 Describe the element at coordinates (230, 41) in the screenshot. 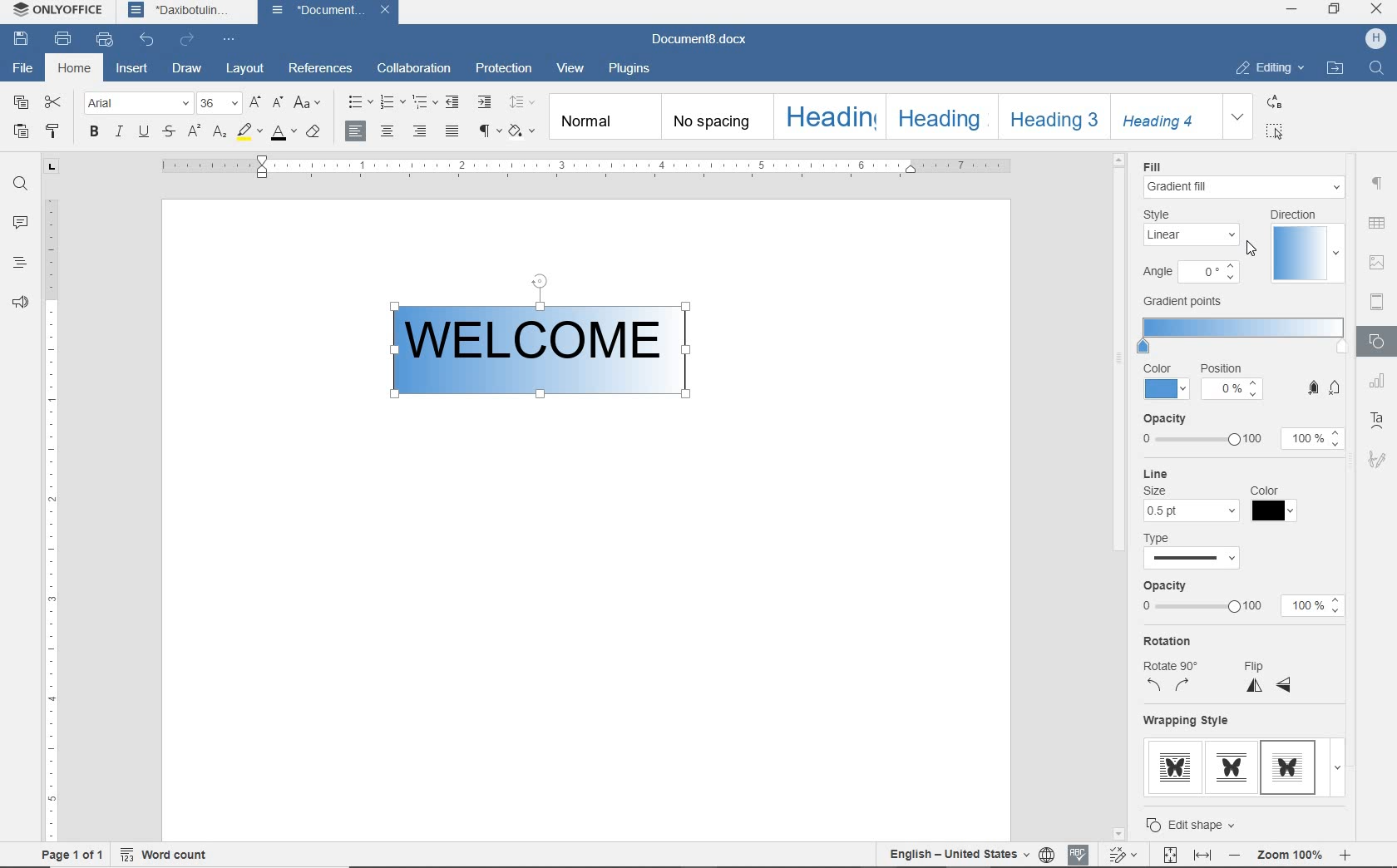

I see `CUSTOMIZE QUICK ACCESS TOOLBAR` at that location.